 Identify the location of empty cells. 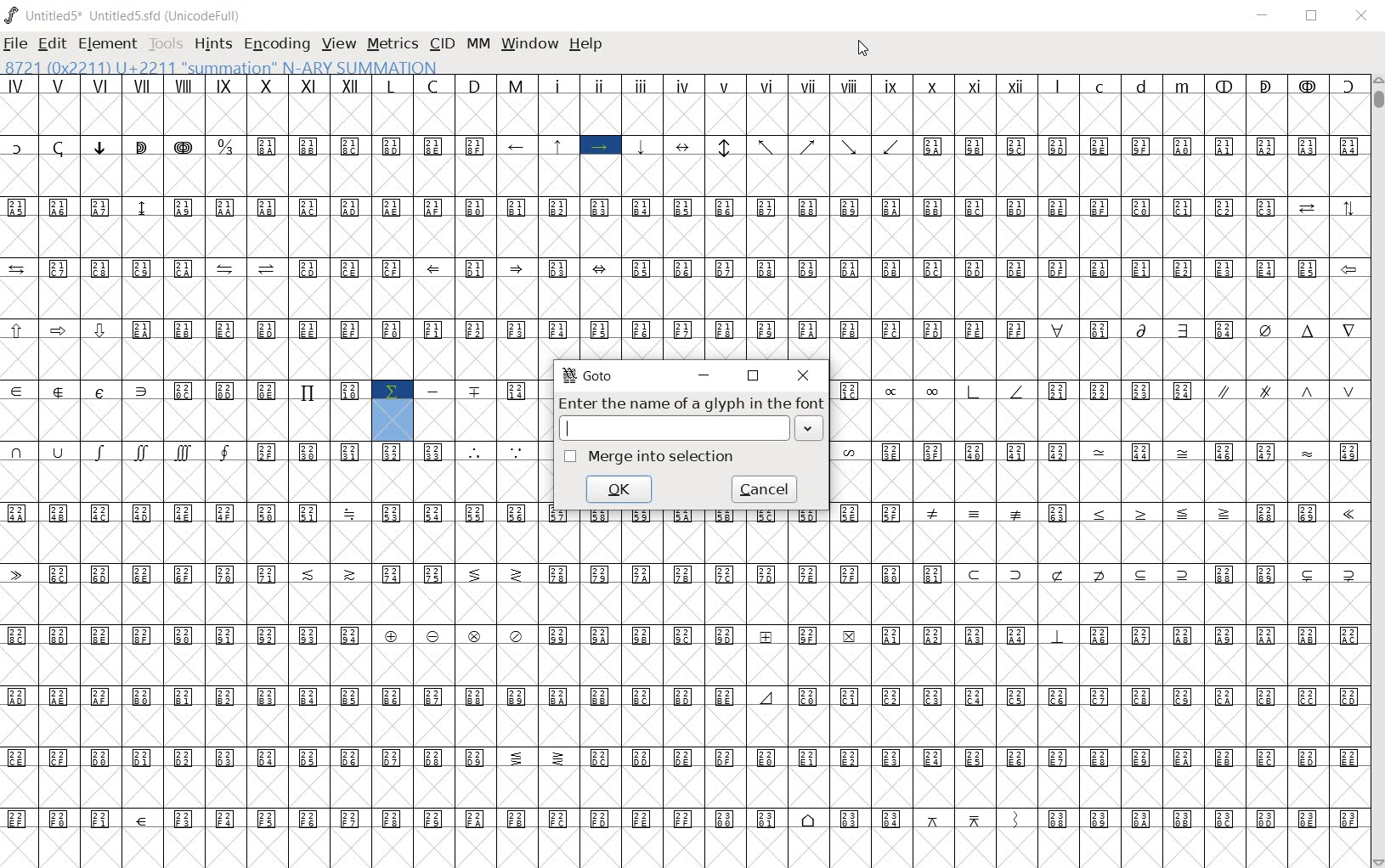
(683, 114).